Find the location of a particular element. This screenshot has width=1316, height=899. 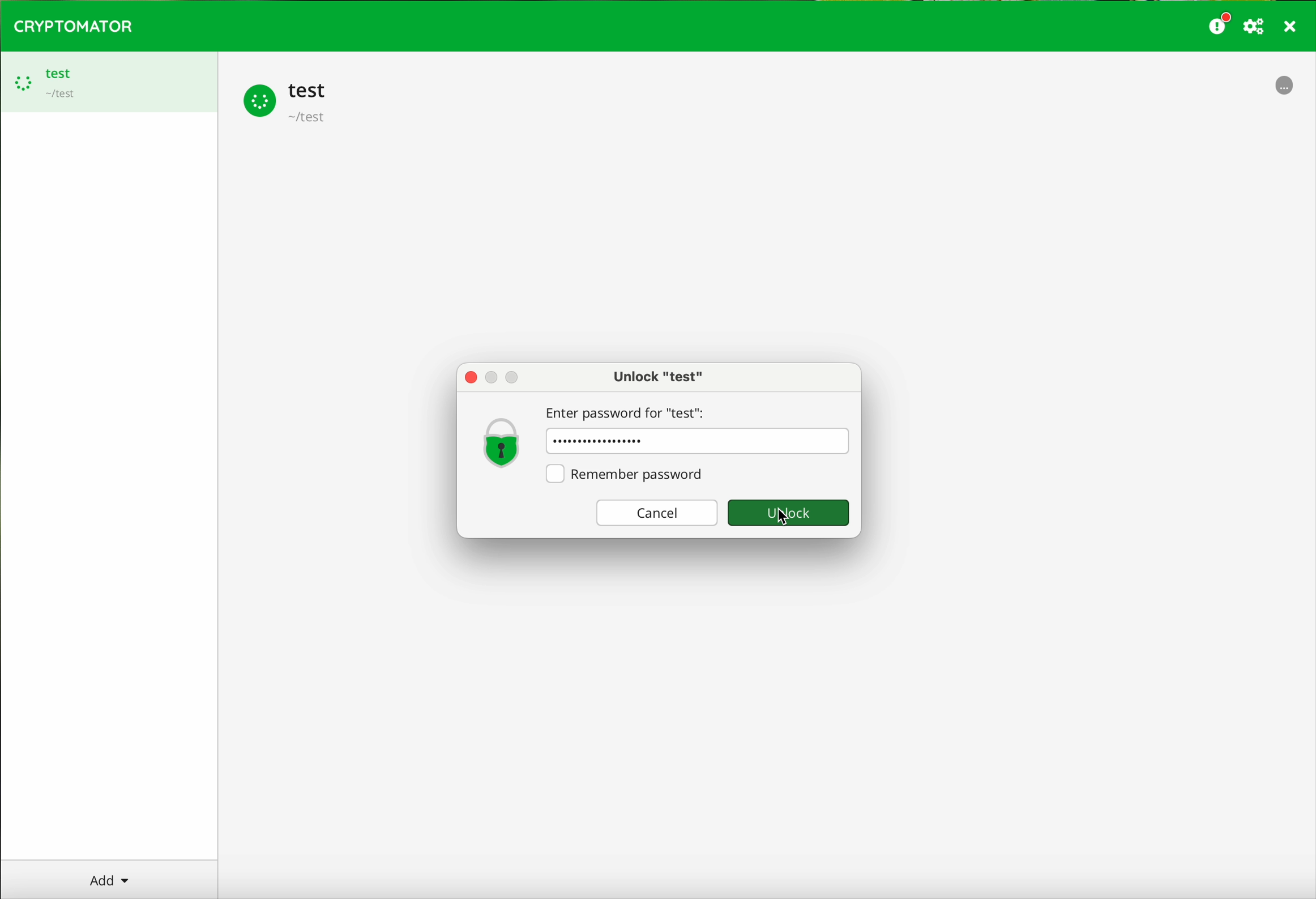

CRYPTOMATOR is located at coordinates (73, 24).